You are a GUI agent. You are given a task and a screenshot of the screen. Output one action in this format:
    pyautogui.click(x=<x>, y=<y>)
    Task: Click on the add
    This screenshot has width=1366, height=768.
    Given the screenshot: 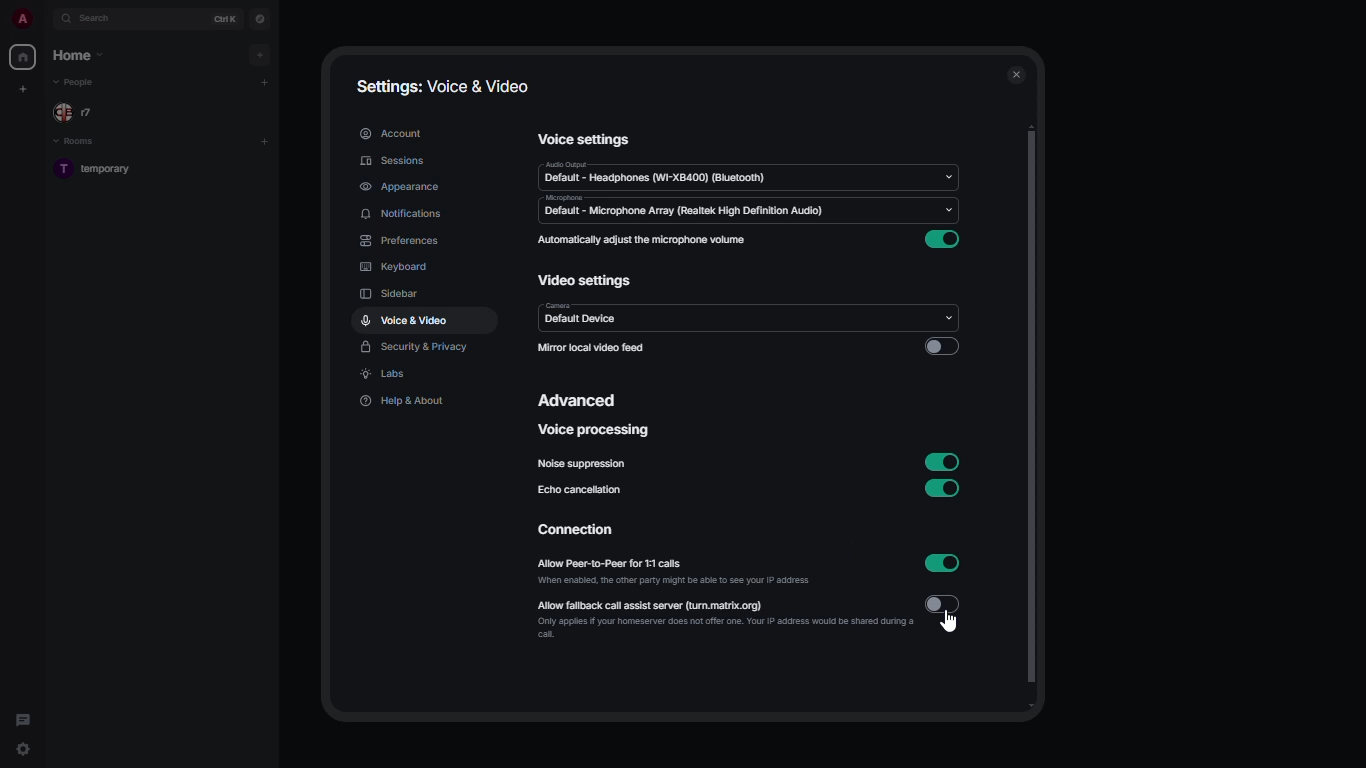 What is the action you would take?
    pyautogui.click(x=262, y=82)
    